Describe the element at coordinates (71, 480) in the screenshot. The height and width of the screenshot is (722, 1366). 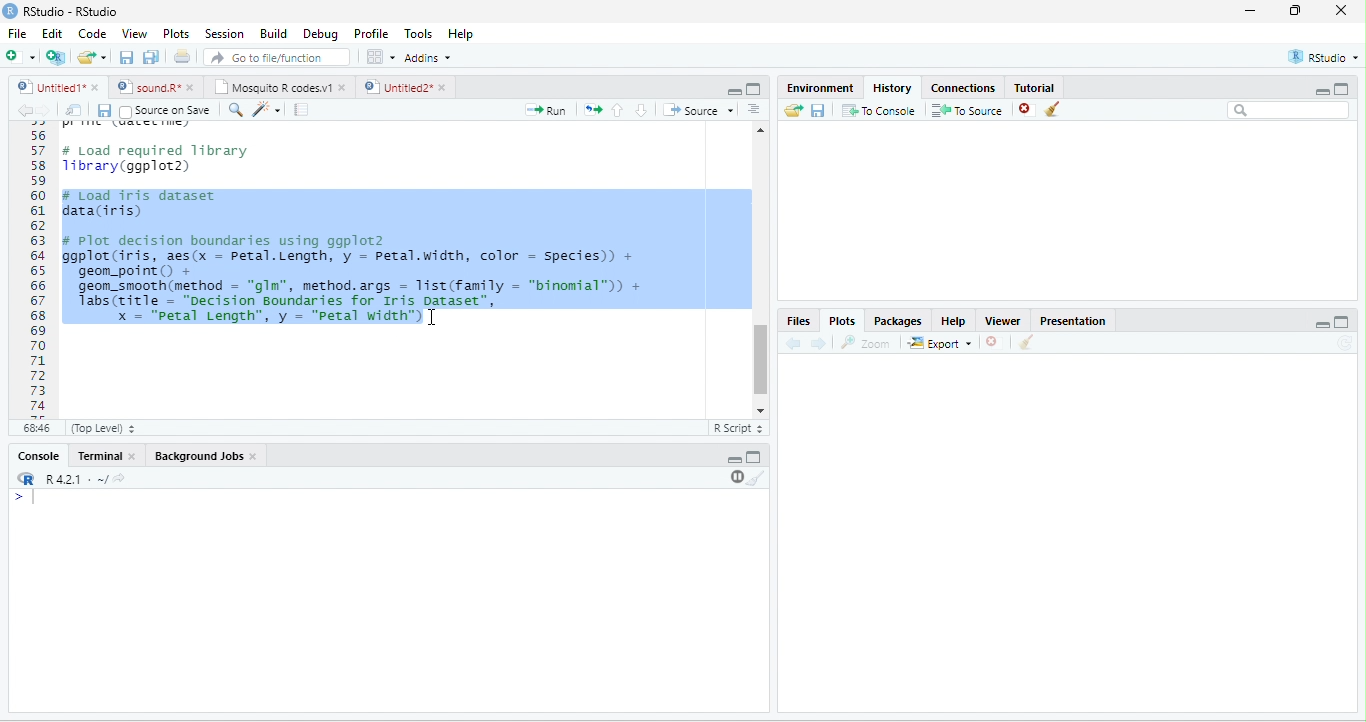
I see `R.4.2.1 .~/` at that location.